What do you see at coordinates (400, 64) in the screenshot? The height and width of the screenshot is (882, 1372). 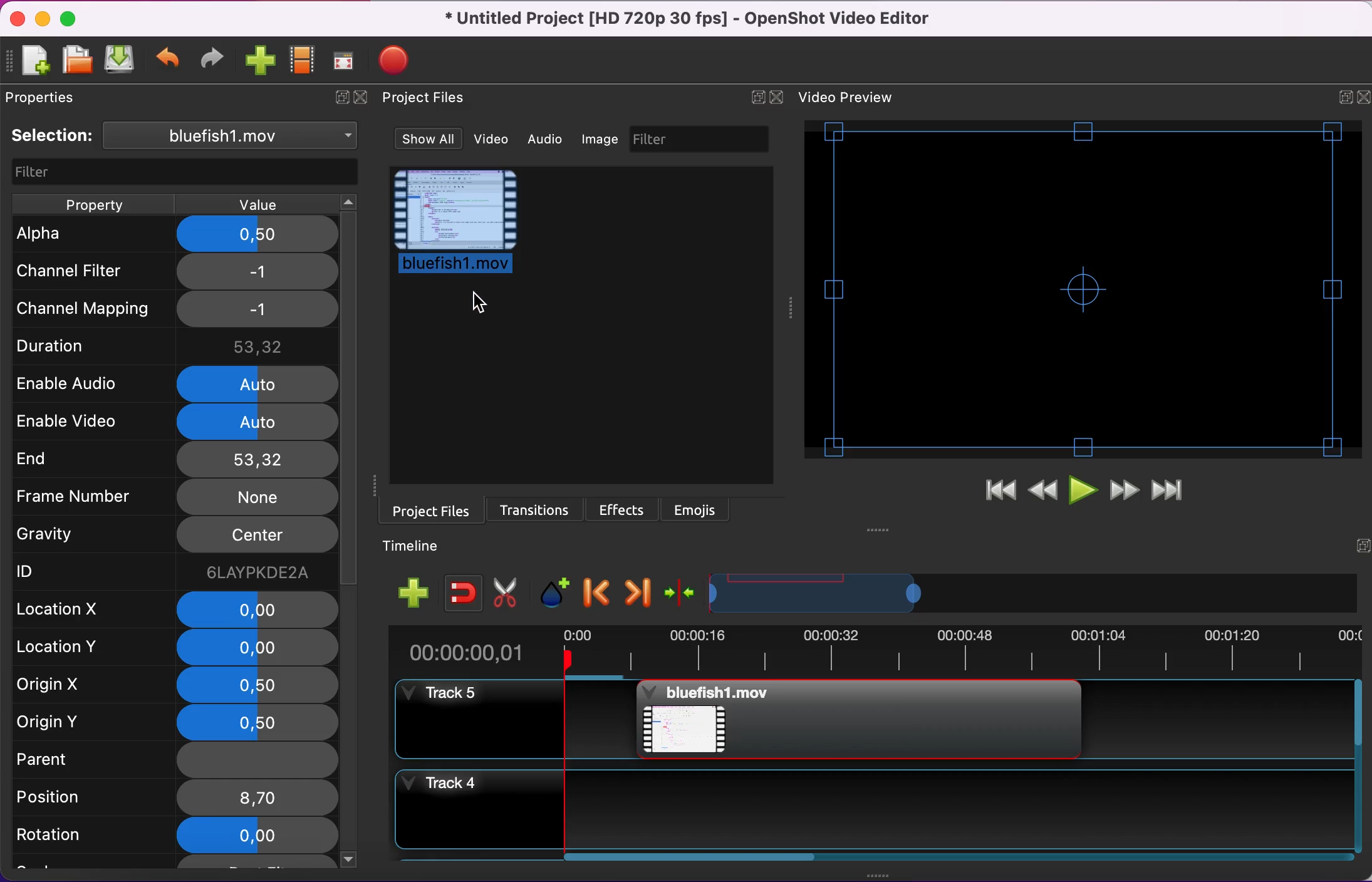 I see `export video` at bounding box center [400, 64].